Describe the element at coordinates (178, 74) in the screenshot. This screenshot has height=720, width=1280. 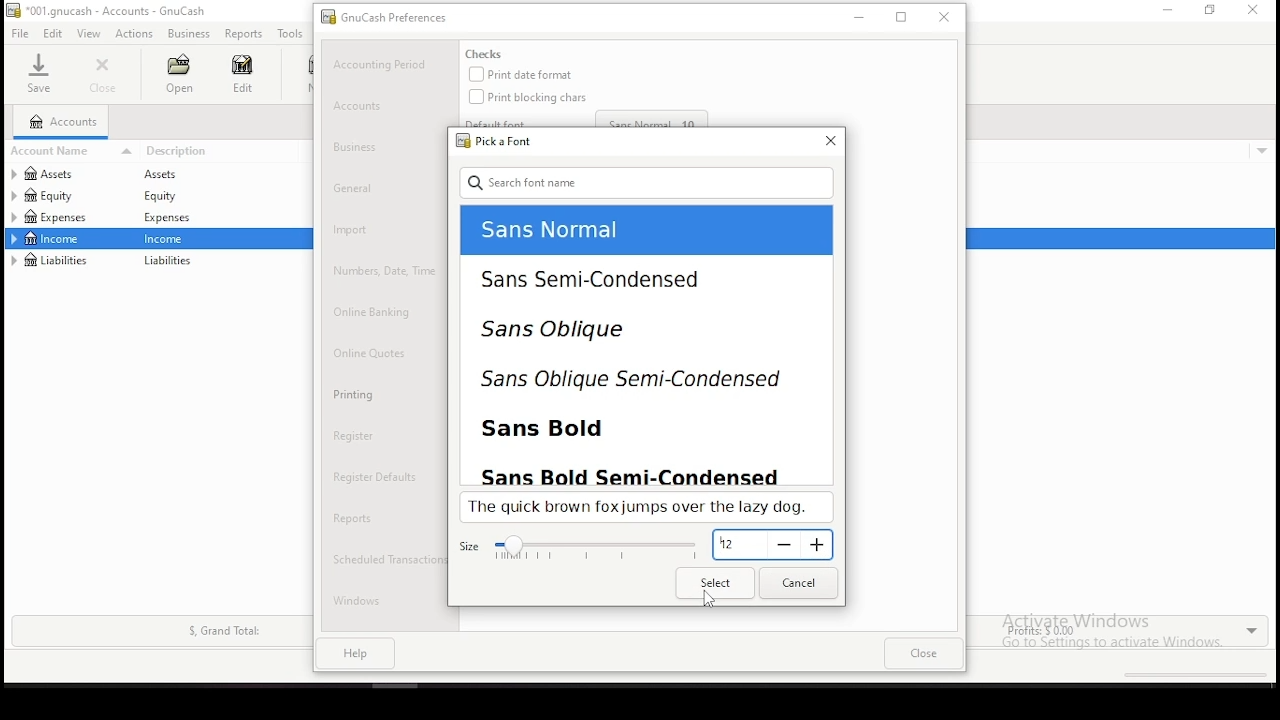
I see `open` at that location.